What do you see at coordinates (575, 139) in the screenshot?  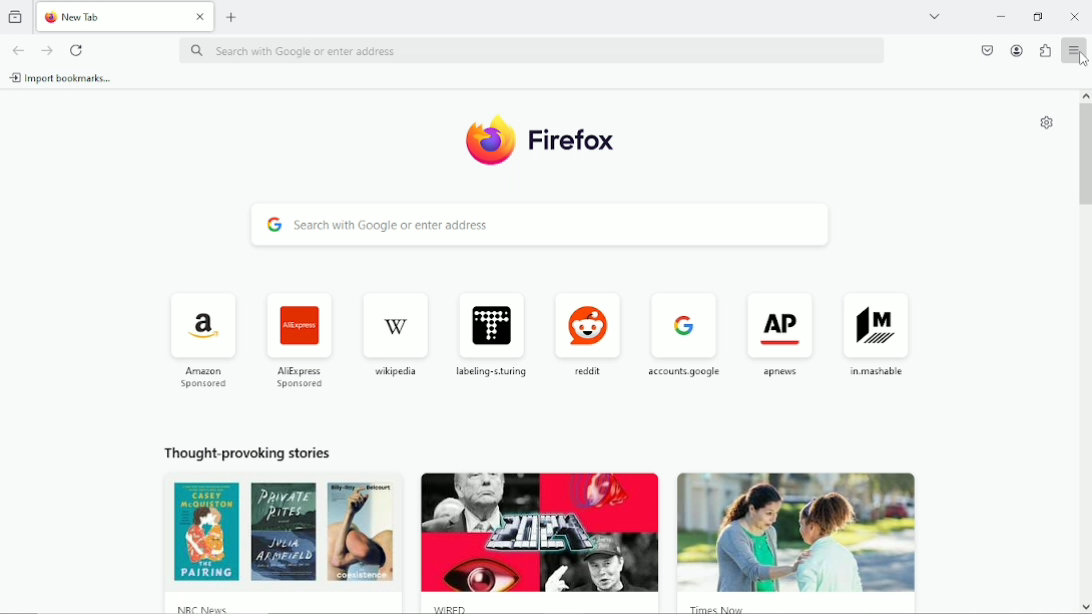 I see ` Firefox` at bounding box center [575, 139].